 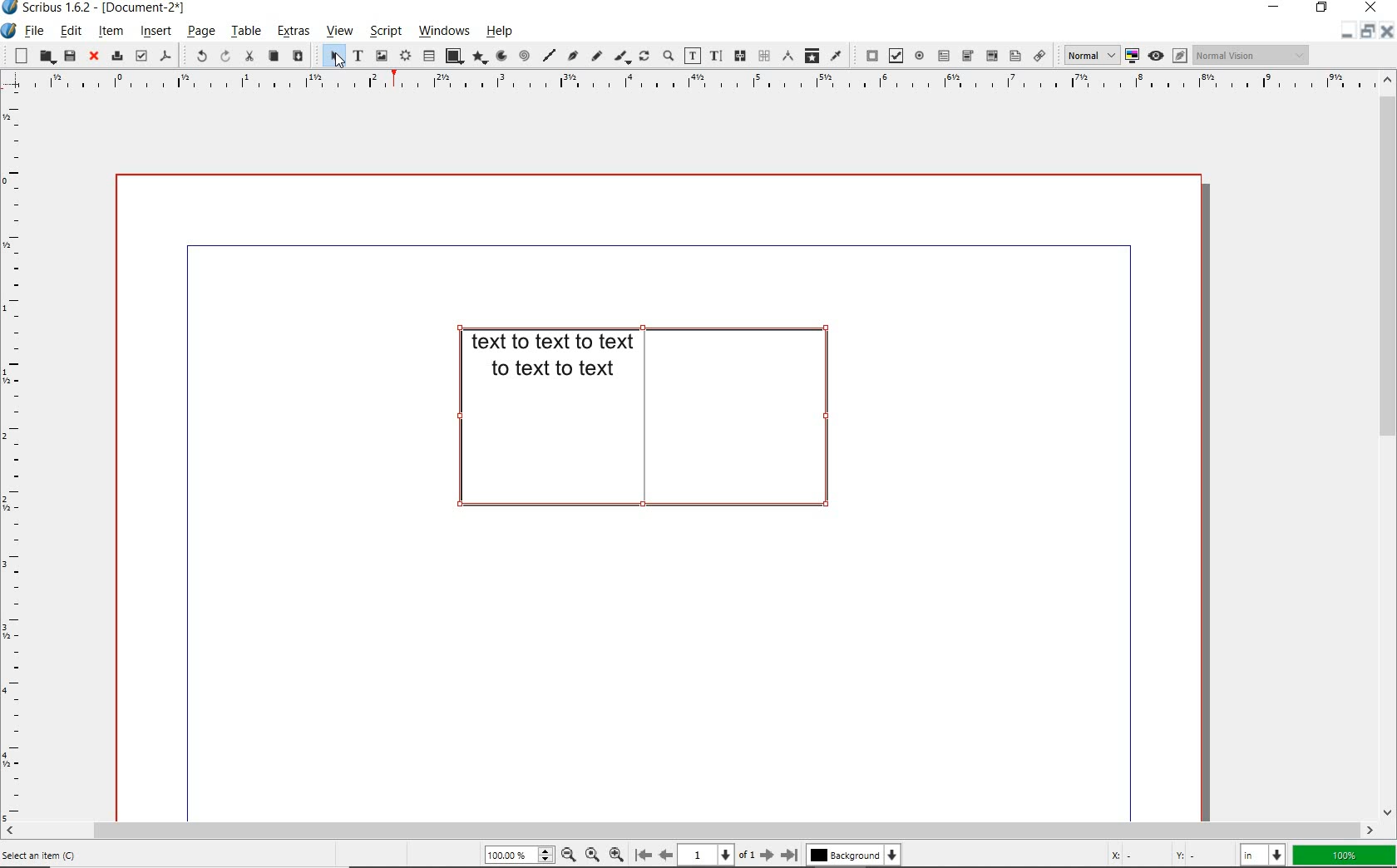 What do you see at coordinates (404, 55) in the screenshot?
I see `render frame` at bounding box center [404, 55].